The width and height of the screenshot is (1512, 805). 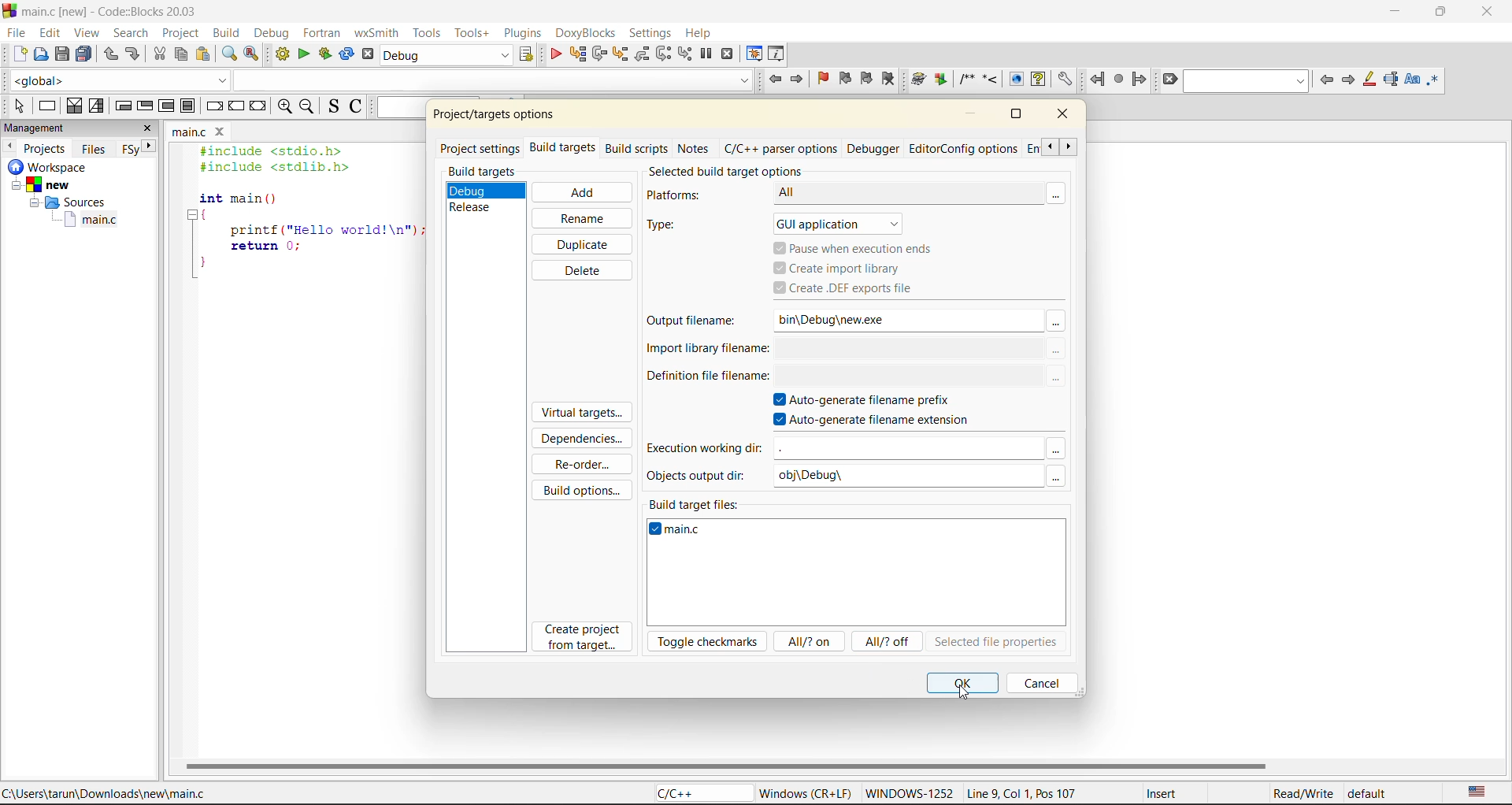 I want to click on toggle checkmarks, so click(x=708, y=642).